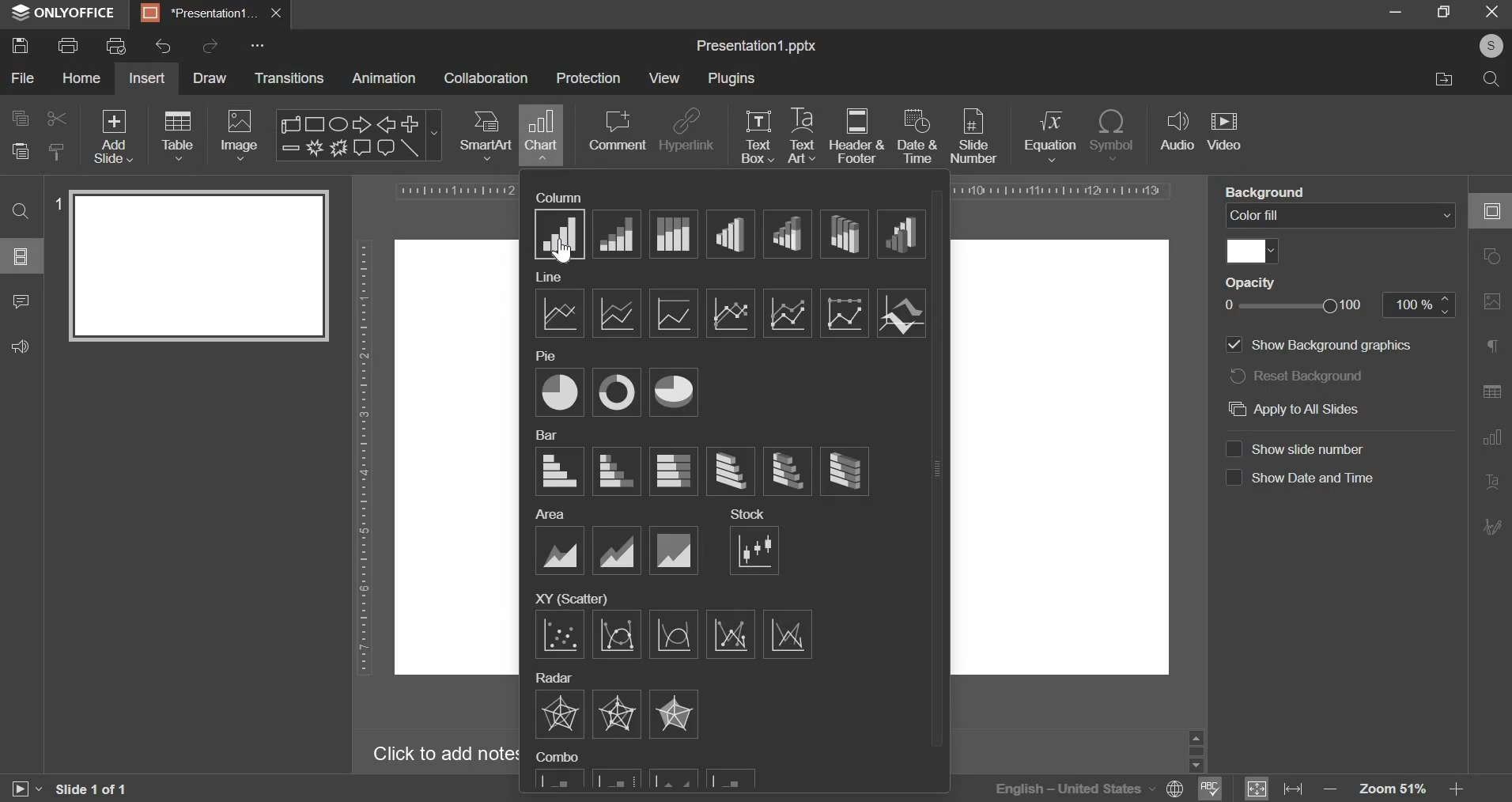 The width and height of the screenshot is (1512, 802). What do you see at coordinates (614, 550) in the screenshot?
I see `area charts` at bounding box center [614, 550].